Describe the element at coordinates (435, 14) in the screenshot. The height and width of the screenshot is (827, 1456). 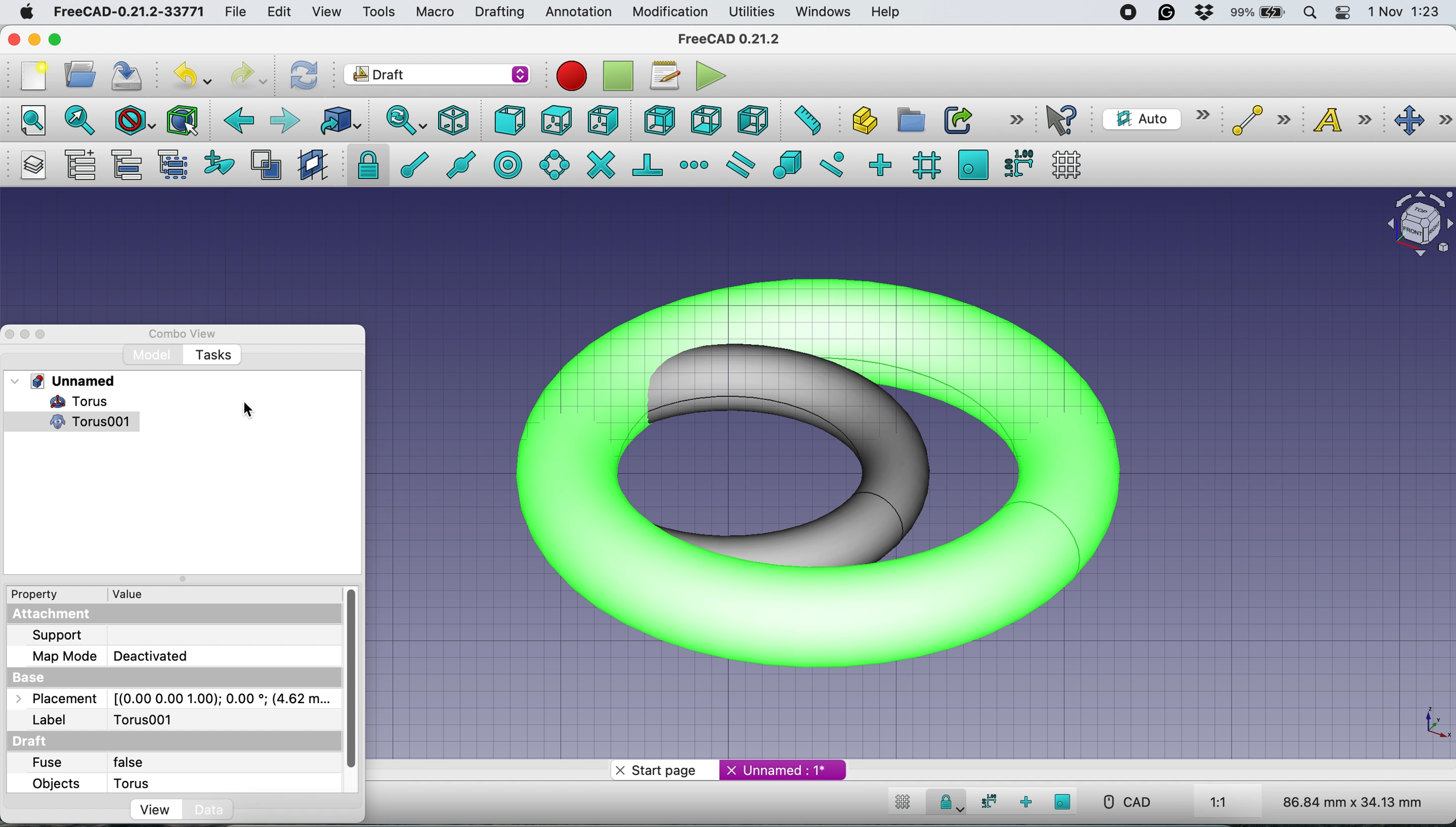
I see `macro` at that location.